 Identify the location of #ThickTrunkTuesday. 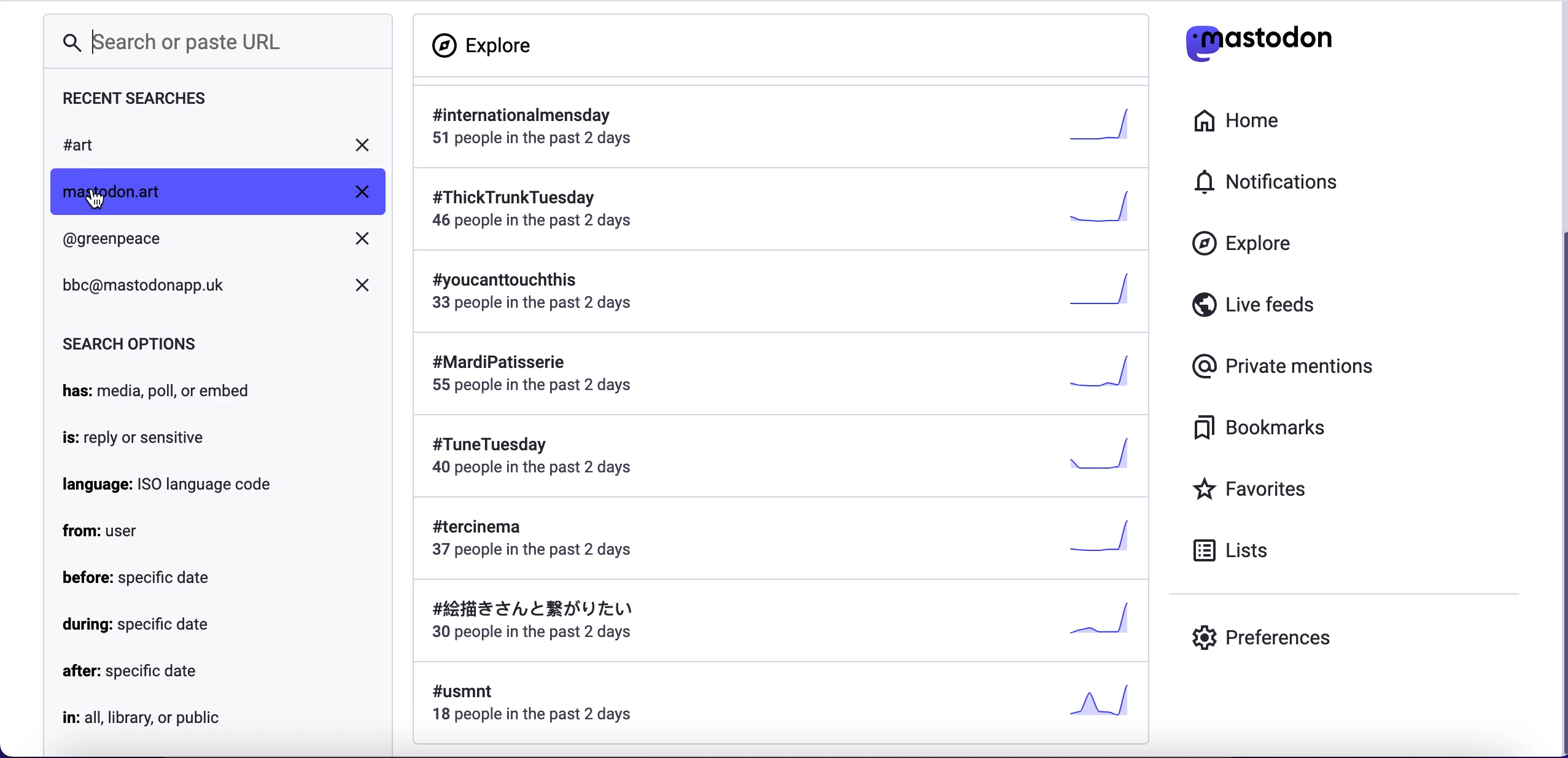
(785, 213).